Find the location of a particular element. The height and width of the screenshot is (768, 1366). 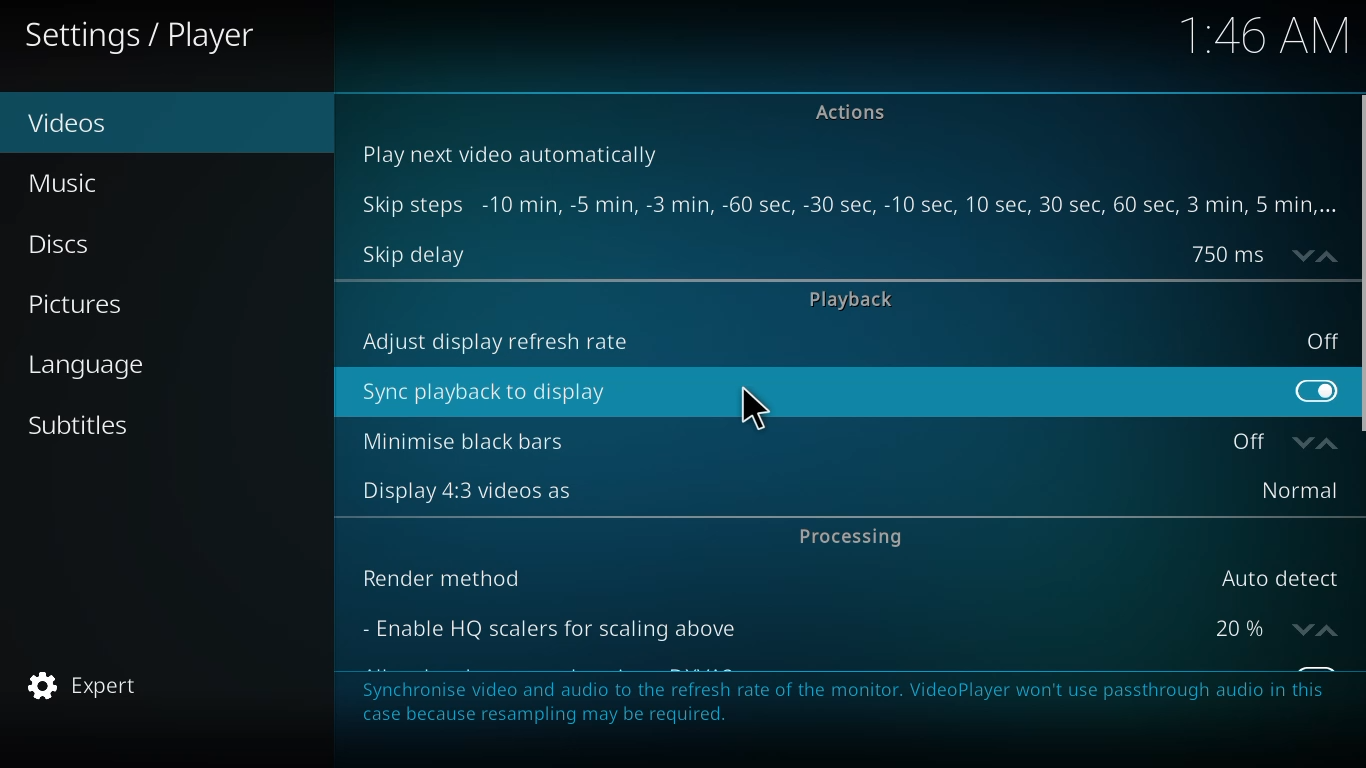

videos is located at coordinates (67, 120).